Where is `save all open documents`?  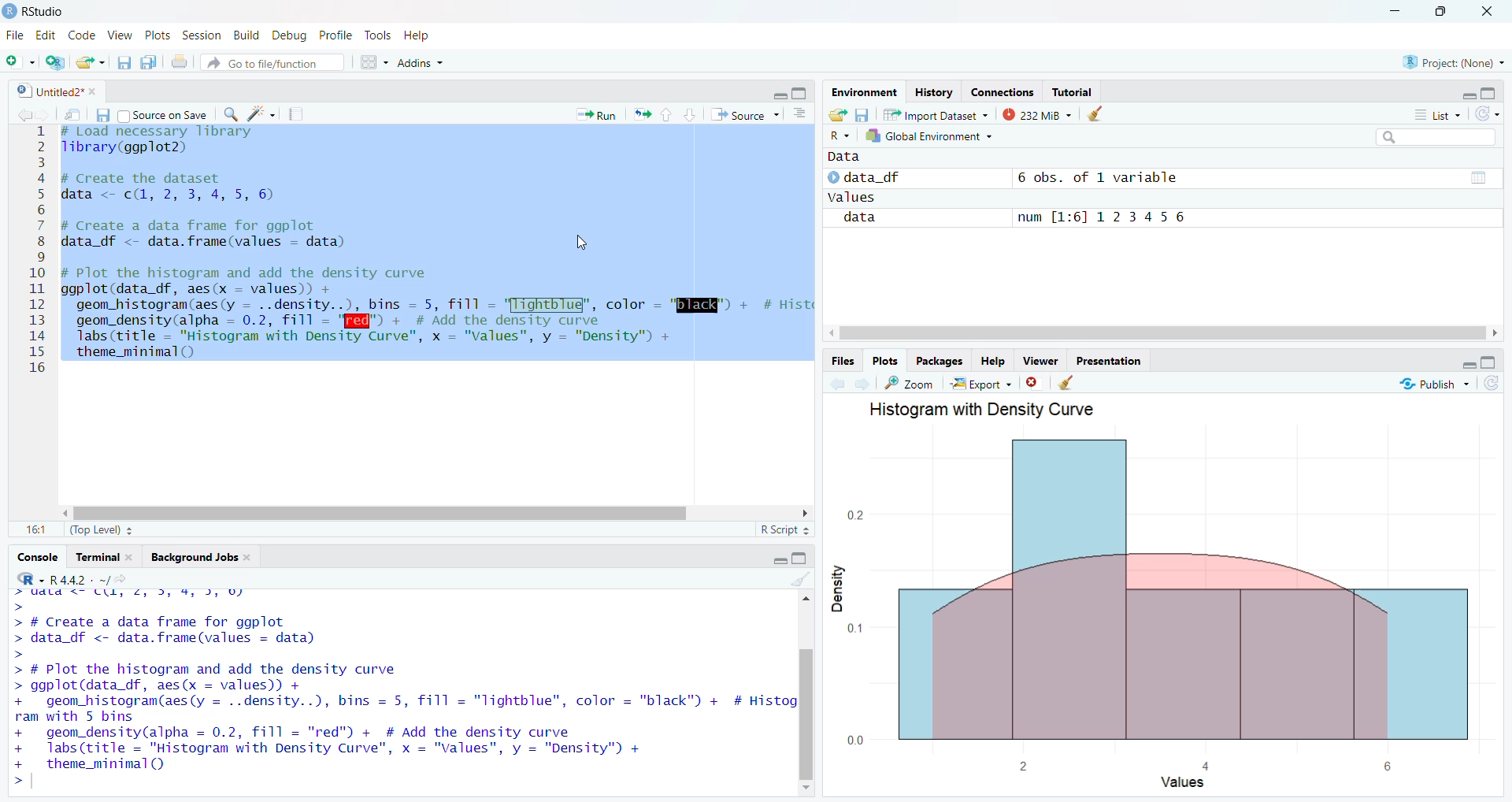
save all open documents is located at coordinates (146, 62).